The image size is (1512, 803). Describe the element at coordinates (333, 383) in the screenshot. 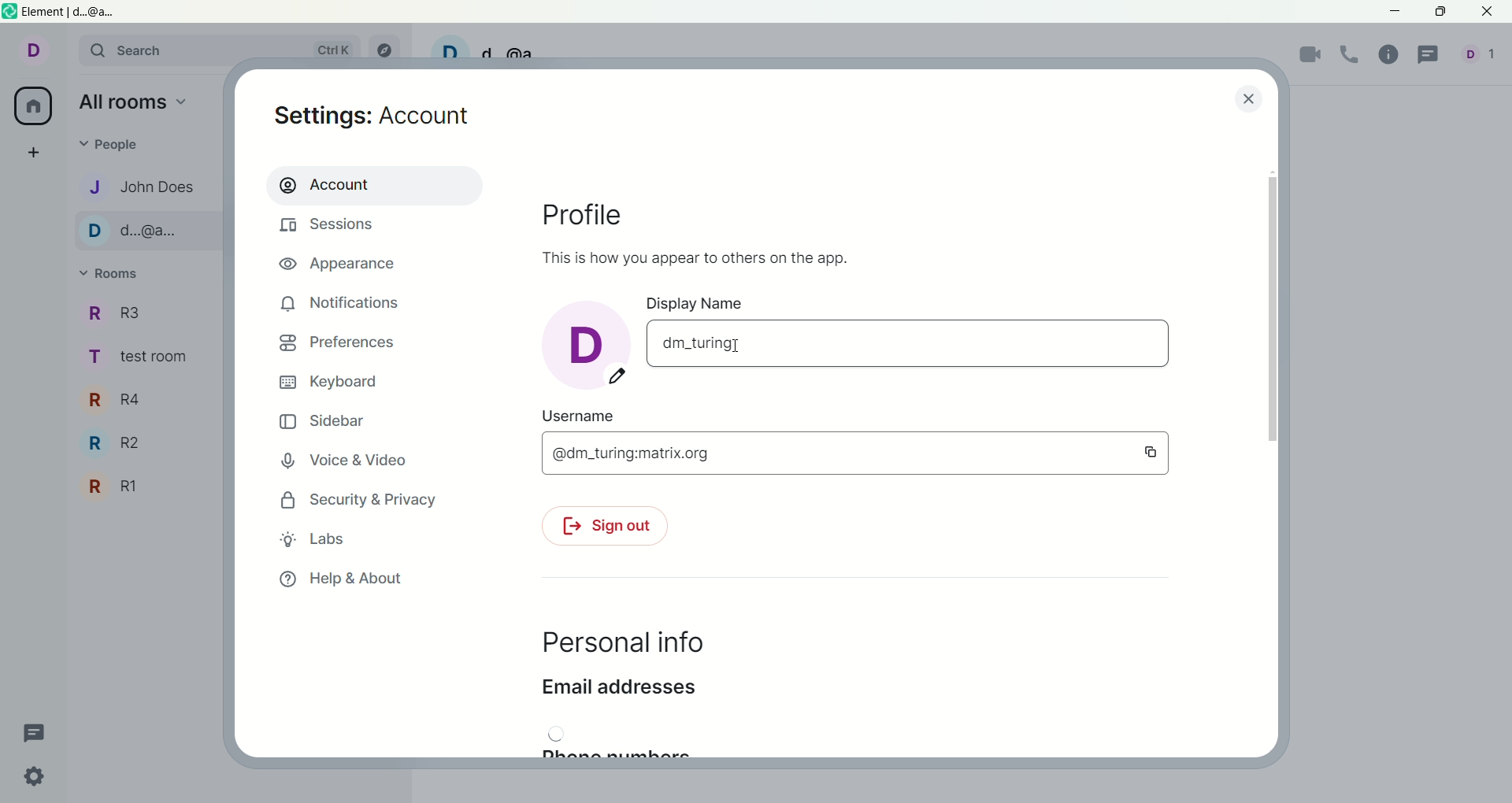

I see `keyboard` at that location.